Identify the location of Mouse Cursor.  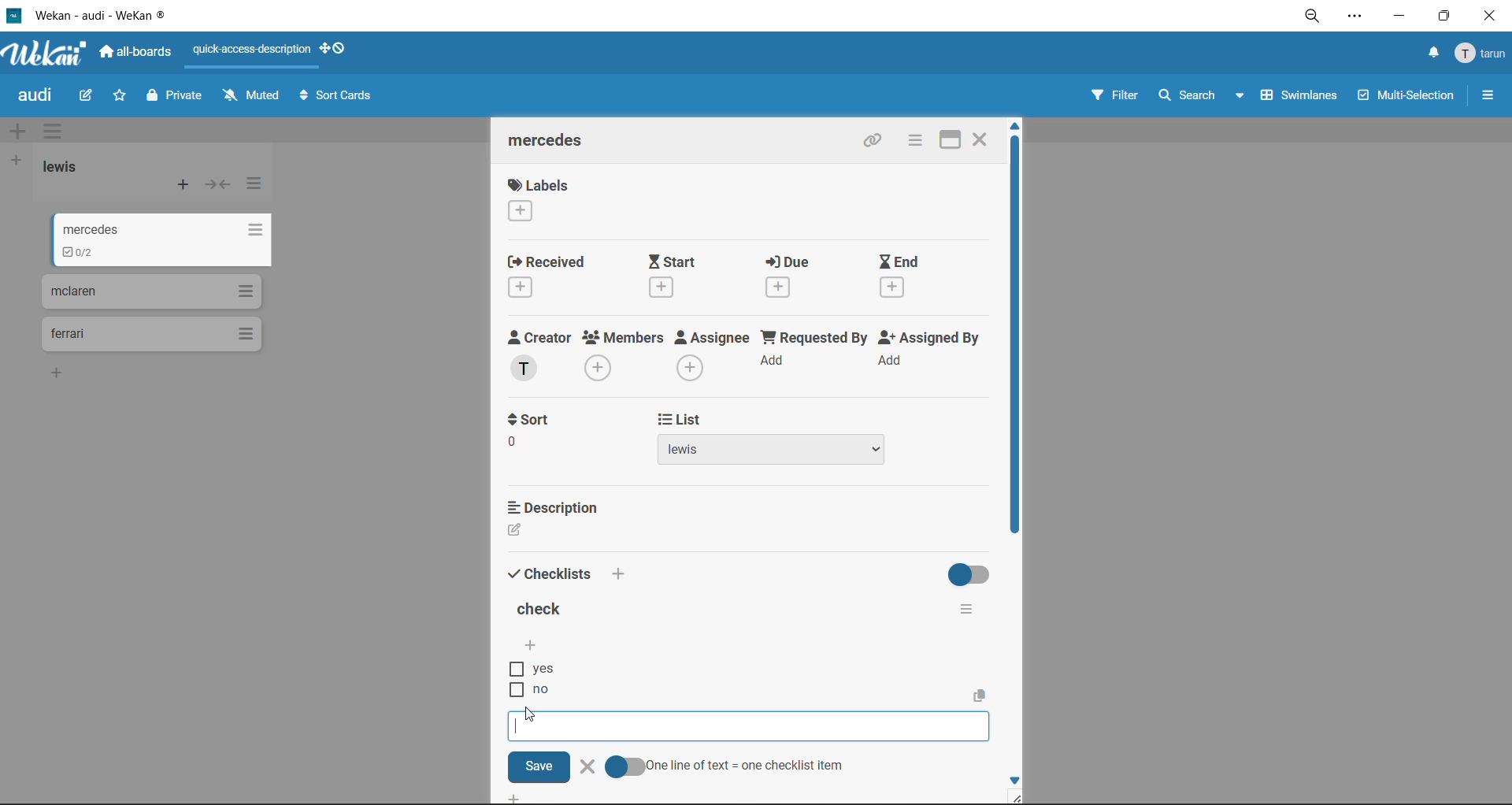
(532, 711).